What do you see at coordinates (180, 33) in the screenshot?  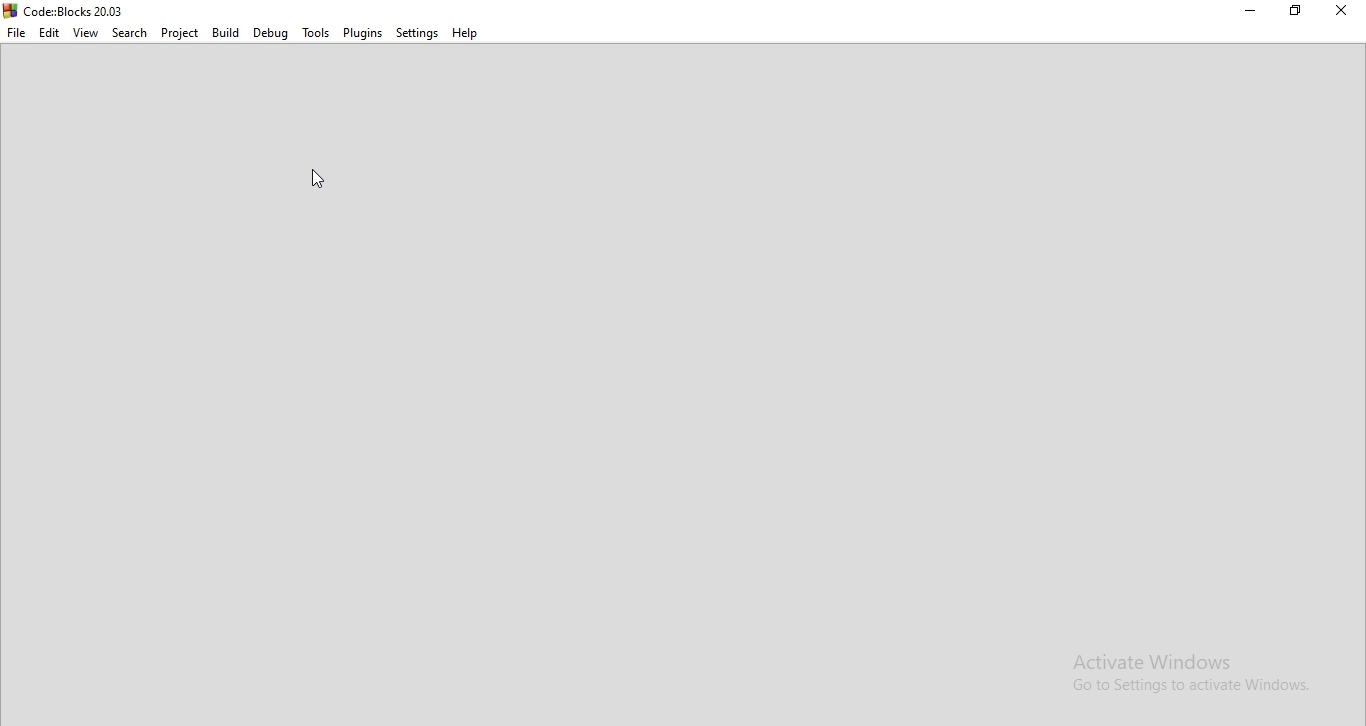 I see `Project ` at bounding box center [180, 33].